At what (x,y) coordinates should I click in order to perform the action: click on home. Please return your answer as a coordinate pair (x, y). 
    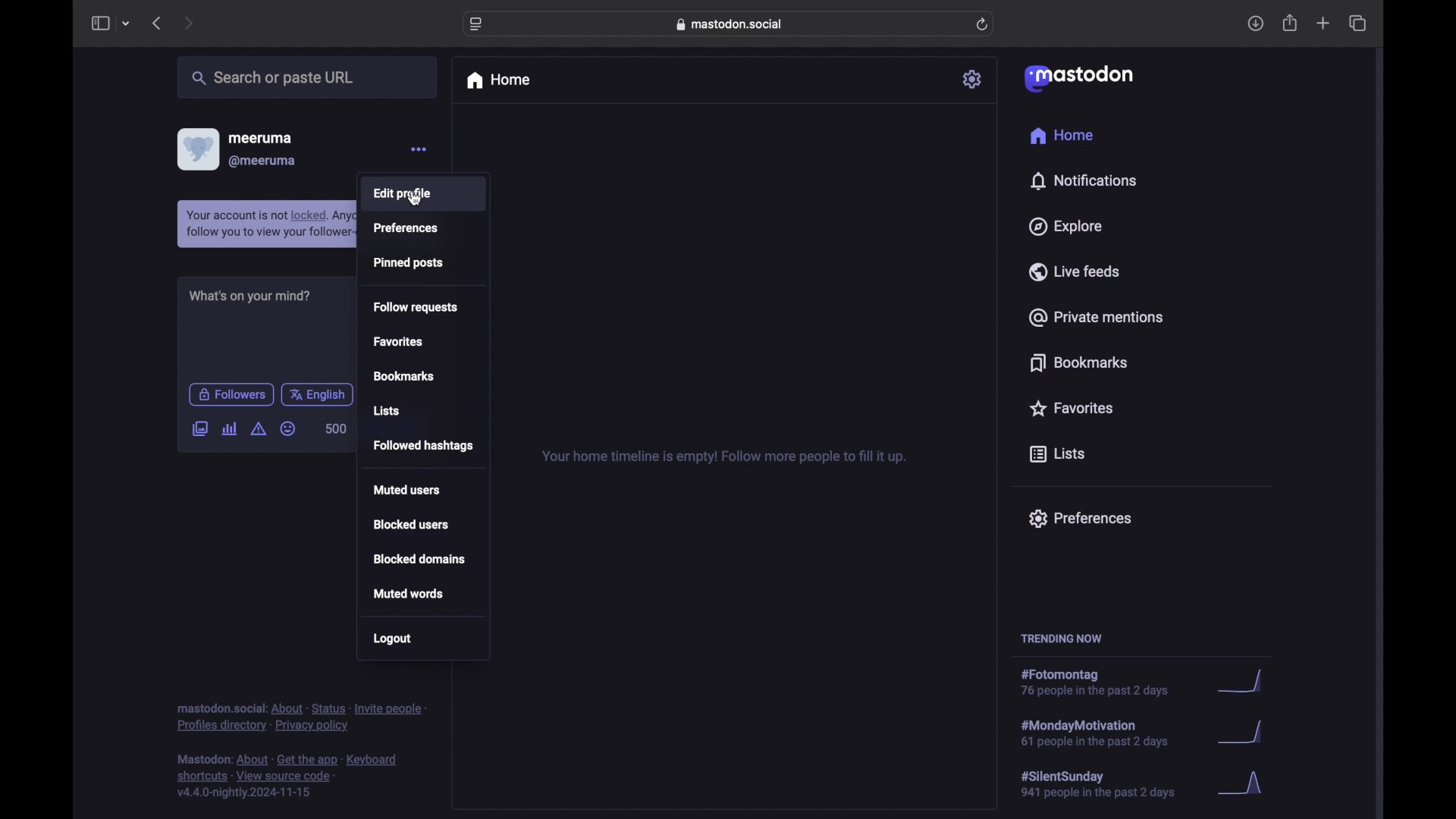
    Looking at the image, I should click on (1062, 136).